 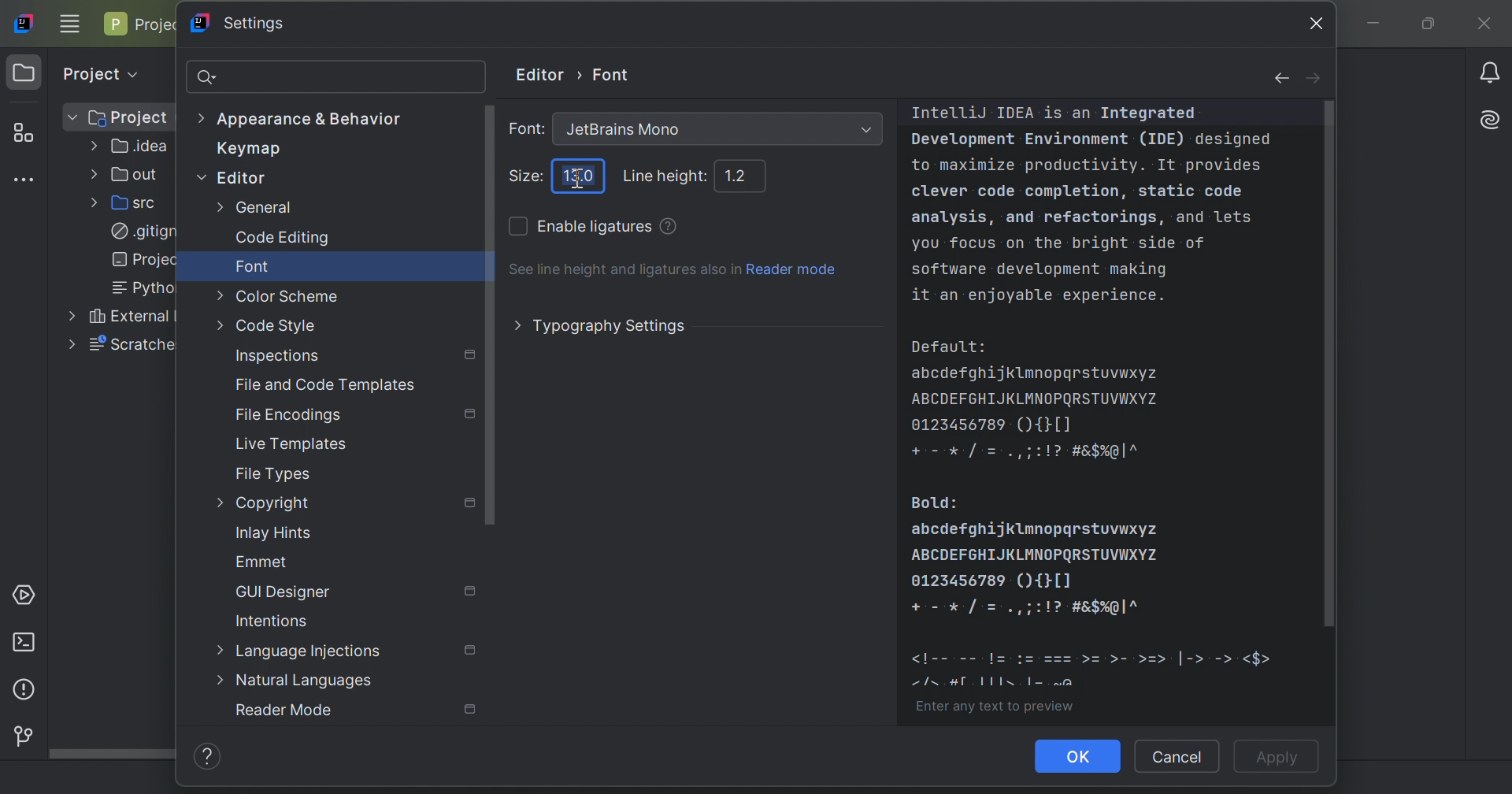 What do you see at coordinates (284, 592) in the screenshot?
I see `GUI Designer` at bounding box center [284, 592].